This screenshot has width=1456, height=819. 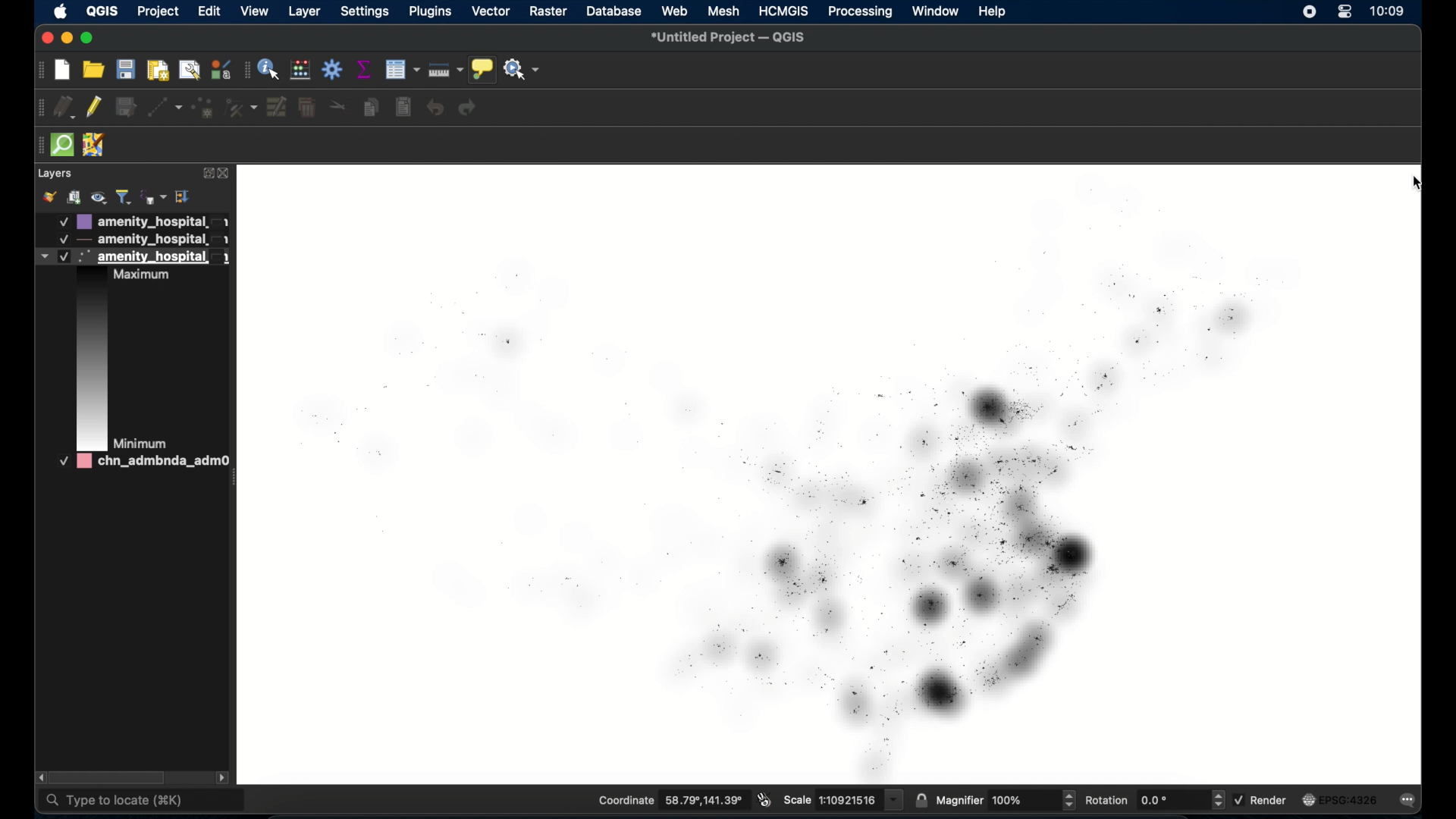 What do you see at coordinates (269, 69) in the screenshot?
I see `identify feature` at bounding box center [269, 69].